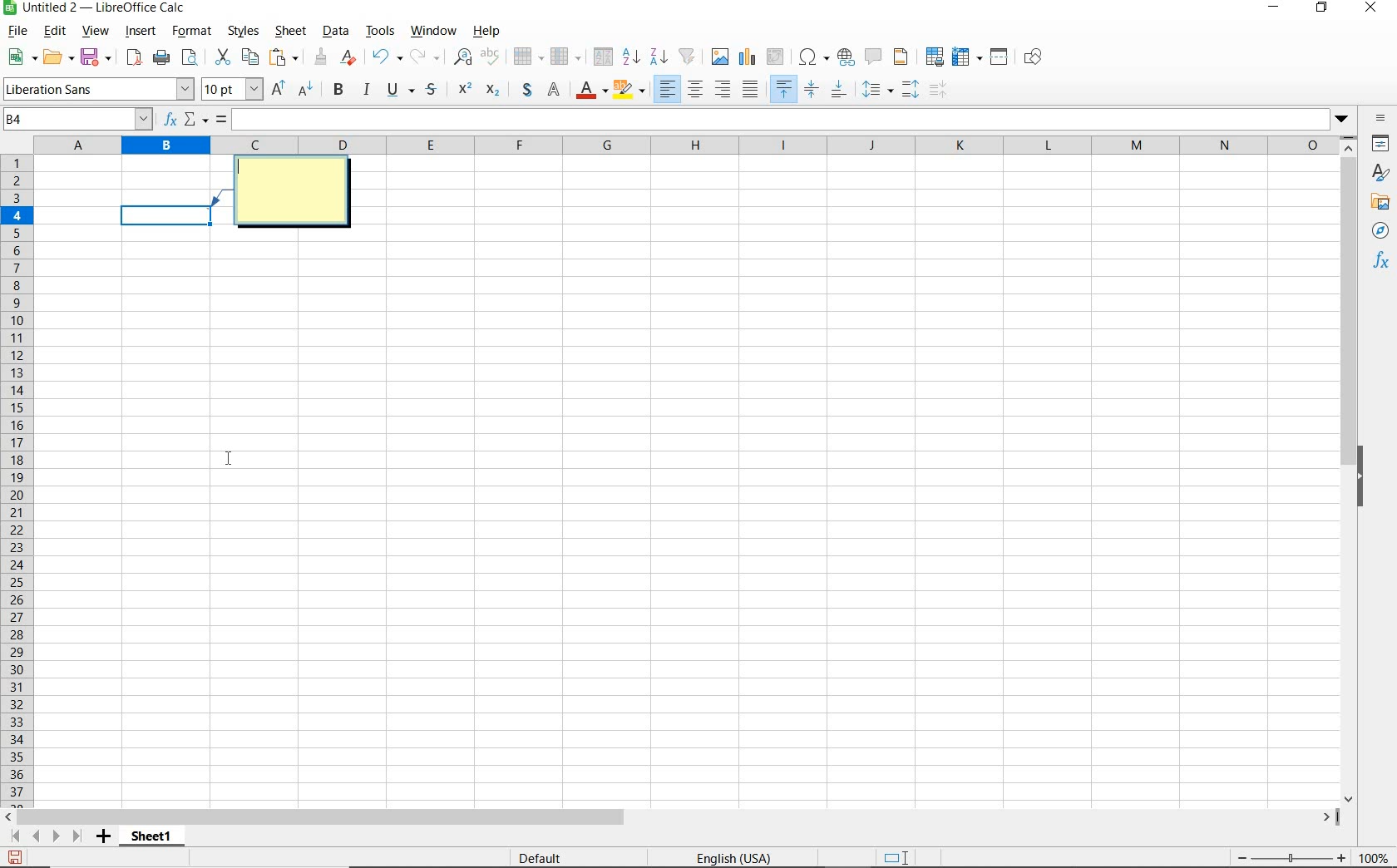 This screenshot has width=1397, height=868. What do you see at coordinates (892, 857) in the screenshot?
I see `standard selection` at bounding box center [892, 857].